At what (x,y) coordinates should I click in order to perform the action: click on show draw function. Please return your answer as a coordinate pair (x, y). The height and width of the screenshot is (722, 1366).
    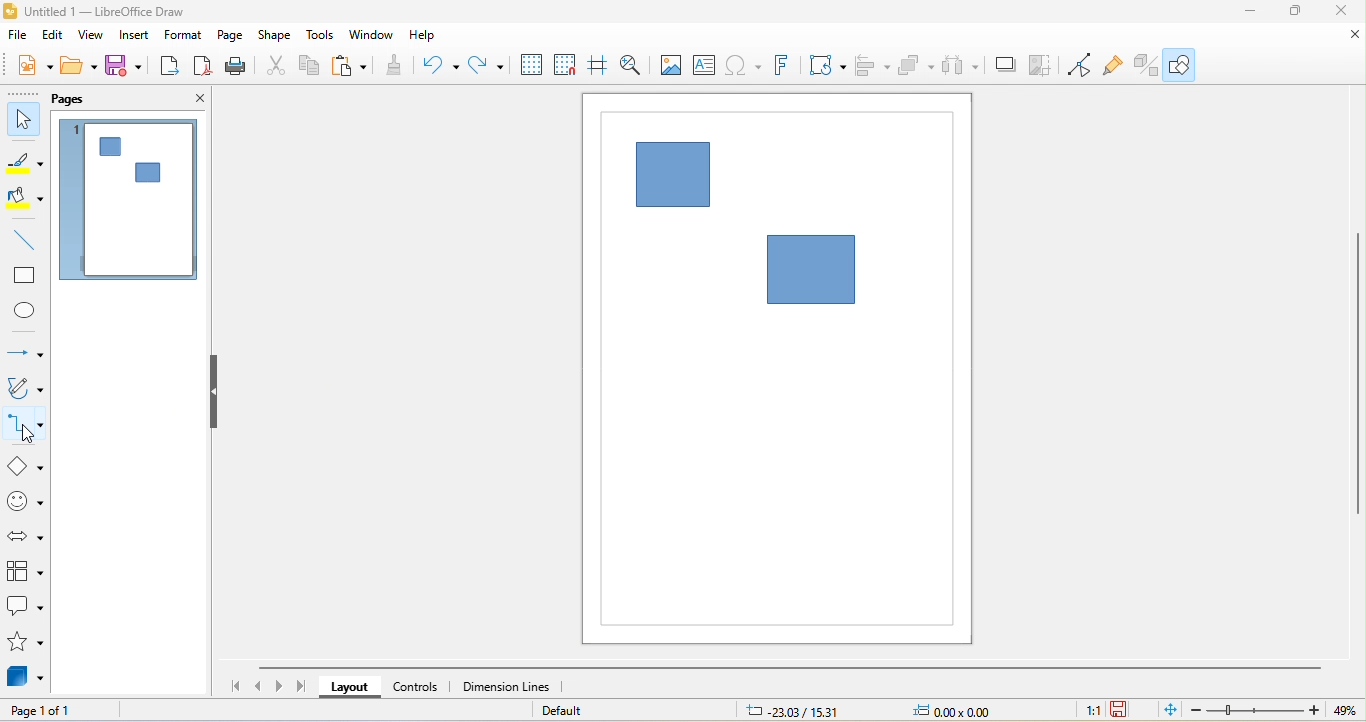
    Looking at the image, I should click on (1187, 64).